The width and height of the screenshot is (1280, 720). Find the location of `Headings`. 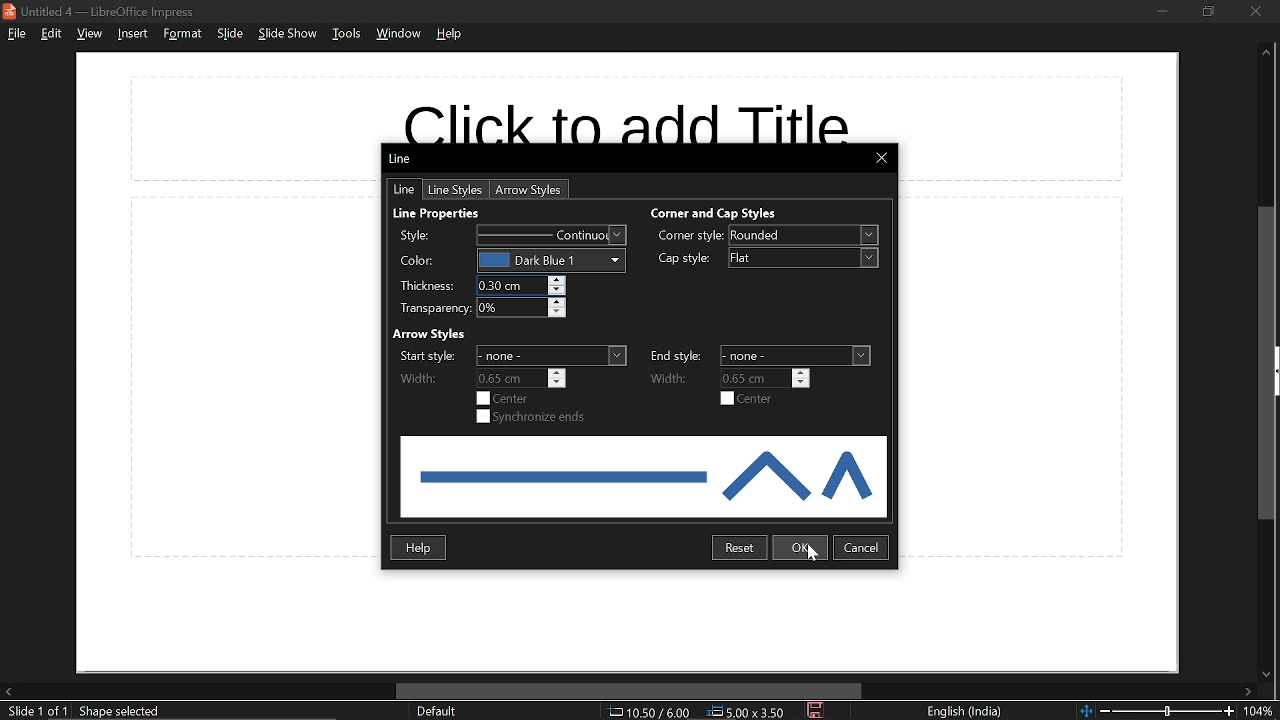

Headings is located at coordinates (587, 212).